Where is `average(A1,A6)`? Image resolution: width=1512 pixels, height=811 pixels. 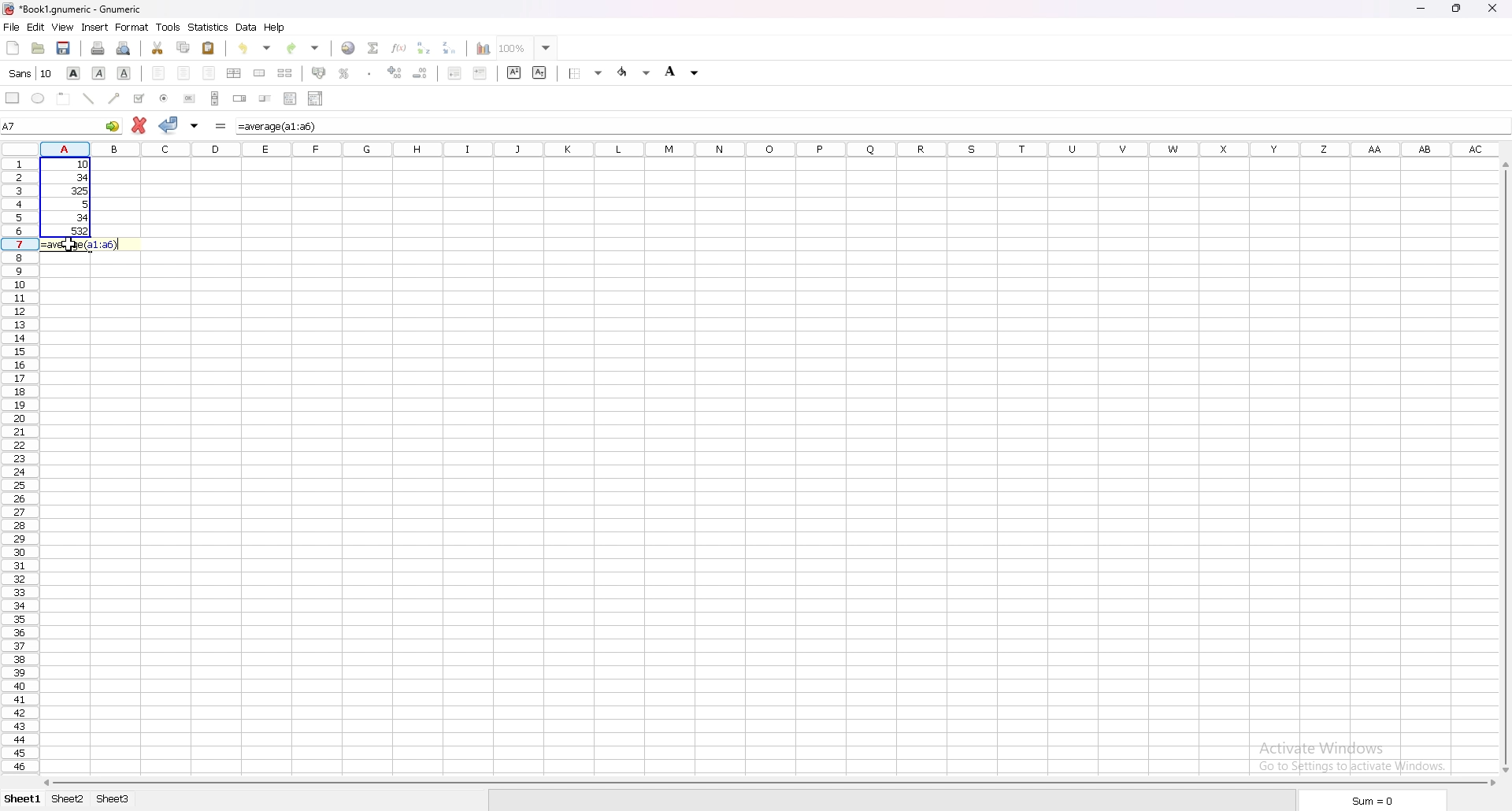
average(A1,A6) is located at coordinates (277, 128).